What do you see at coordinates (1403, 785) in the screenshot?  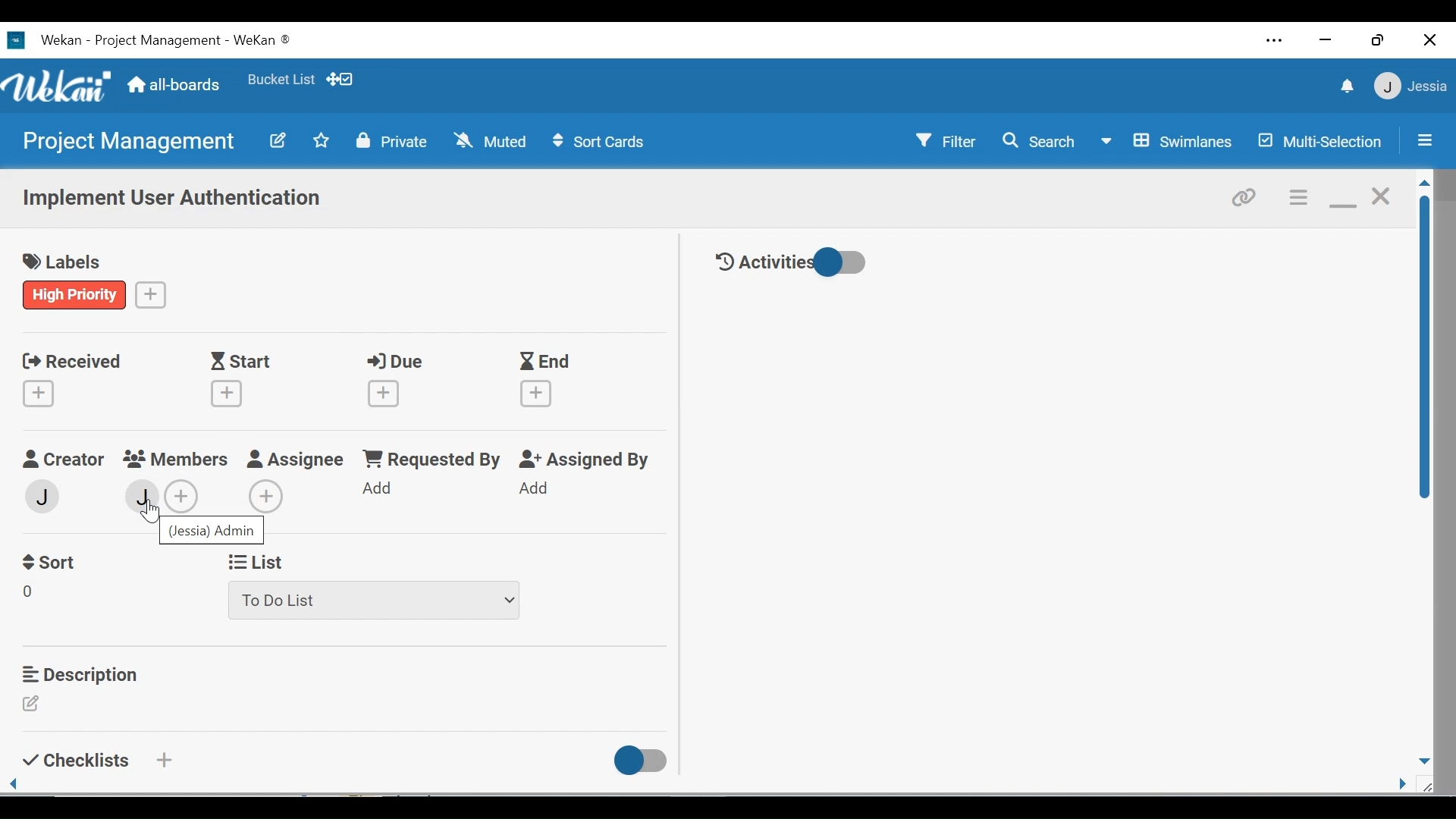 I see `move right` at bounding box center [1403, 785].